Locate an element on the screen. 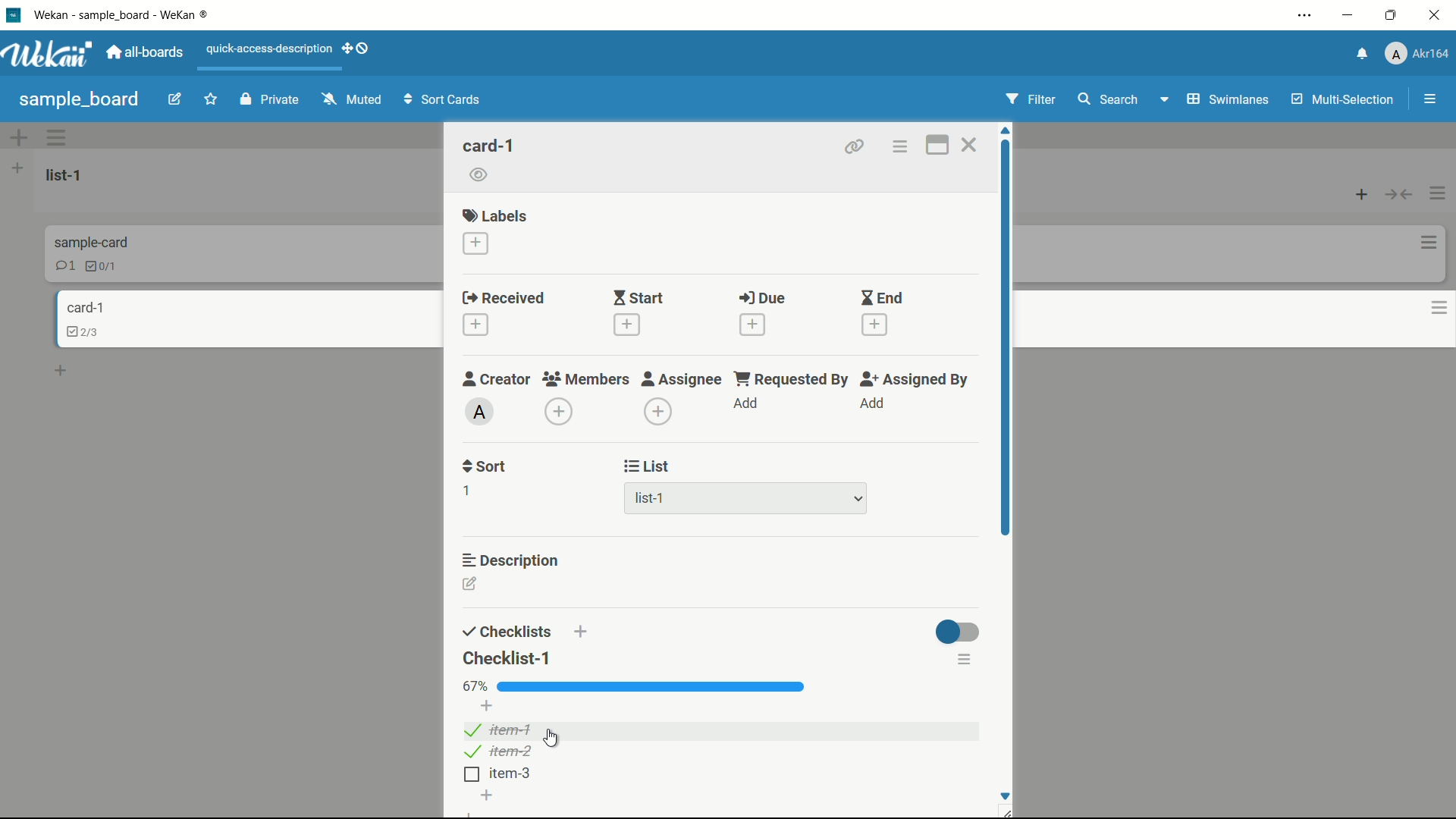 This screenshot has height=819, width=1456. checklists is located at coordinates (504, 632).